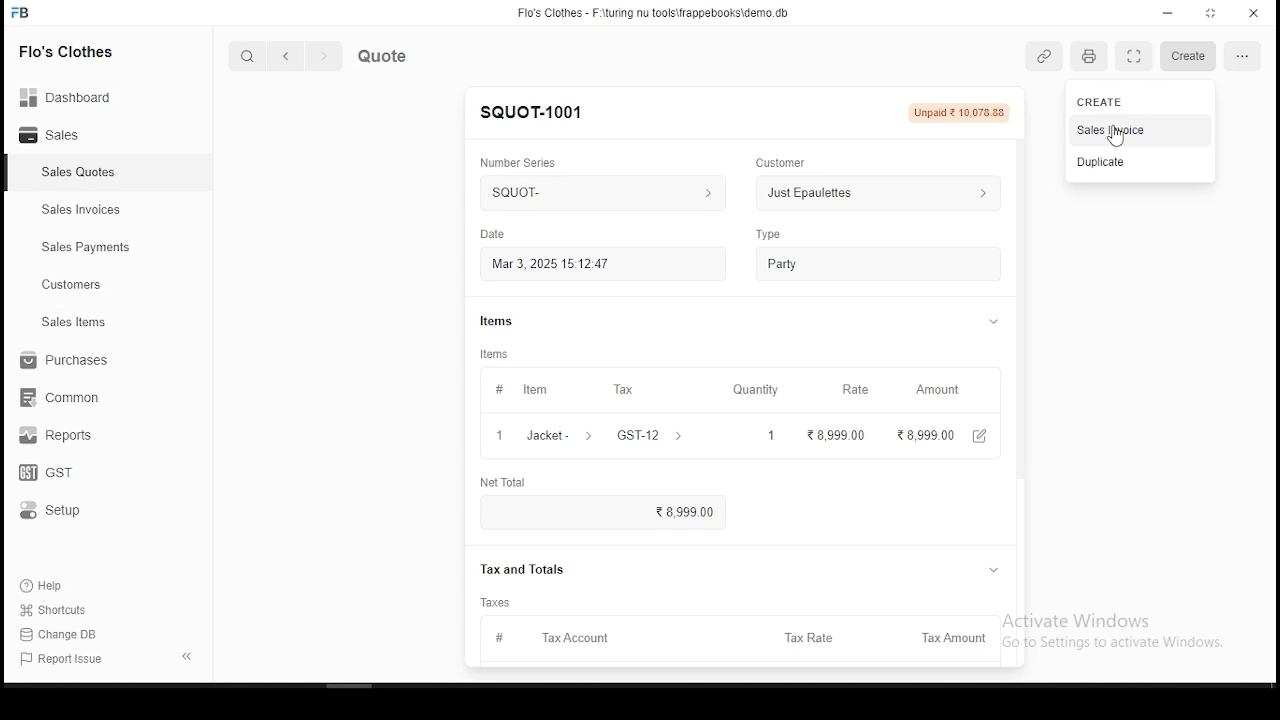 The width and height of the screenshot is (1280, 720). I want to click on change DB, so click(74, 635).